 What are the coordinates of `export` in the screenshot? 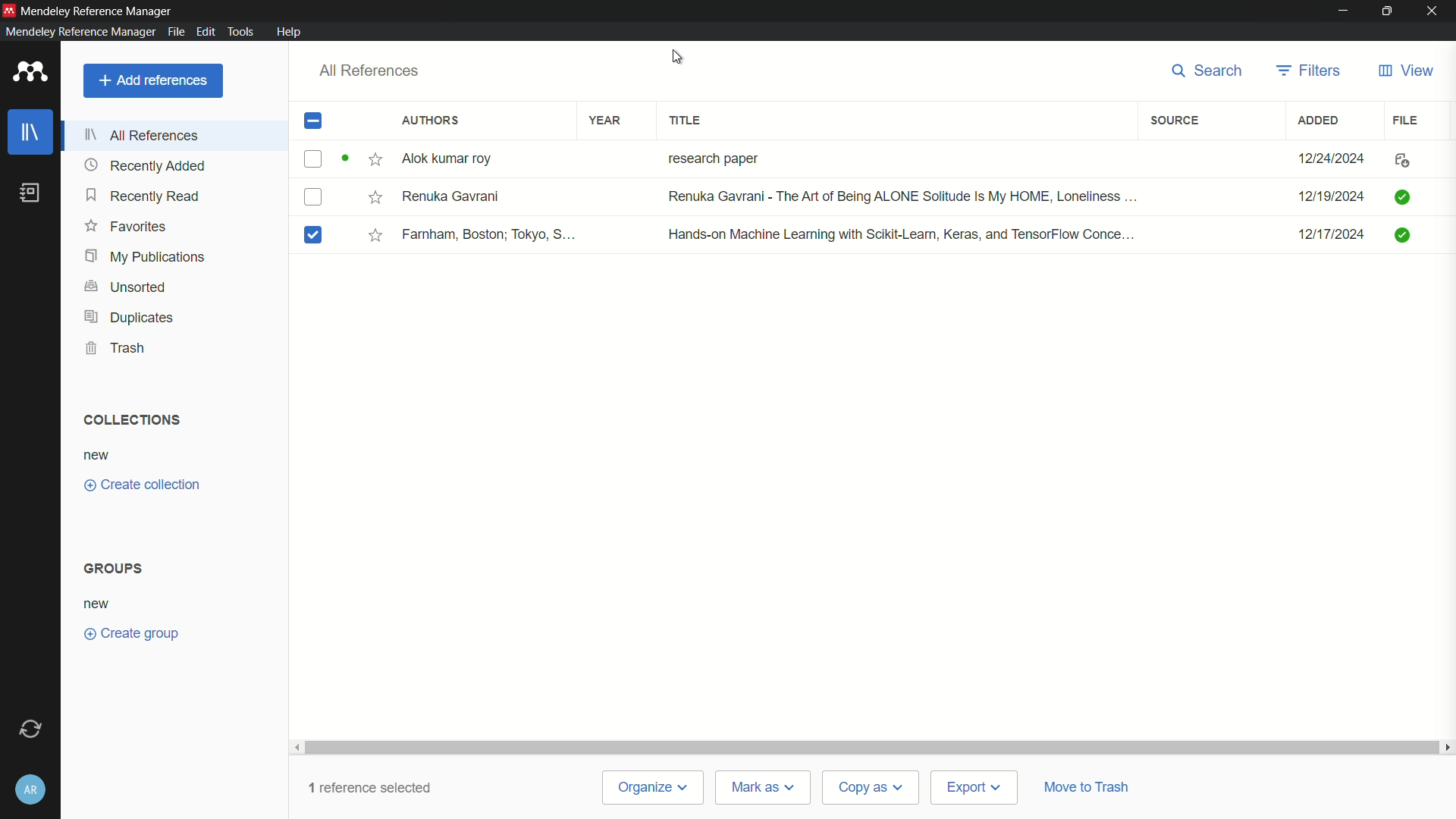 It's located at (974, 789).